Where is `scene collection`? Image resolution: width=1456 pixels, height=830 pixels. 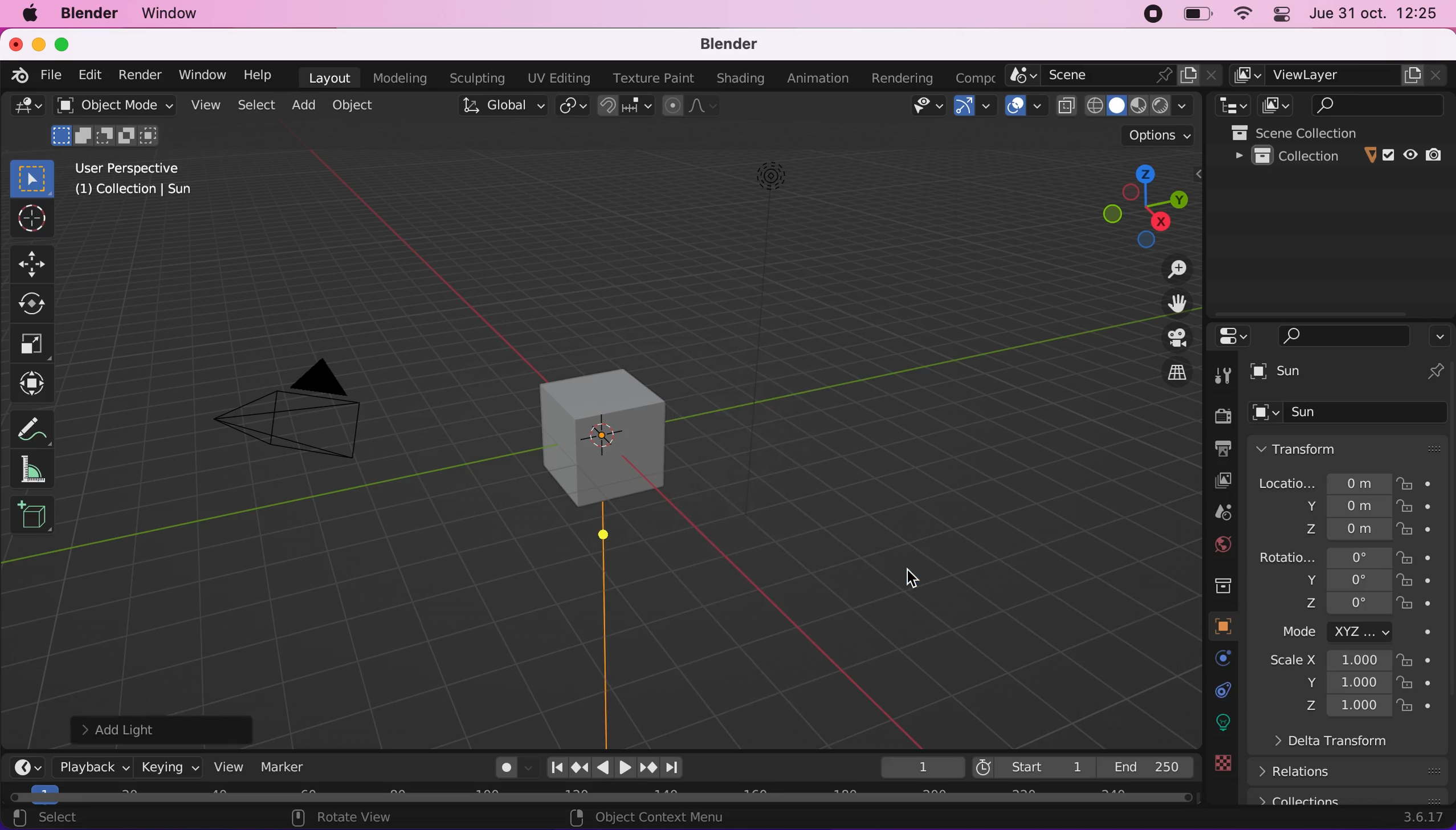 scene collection is located at coordinates (1341, 132).